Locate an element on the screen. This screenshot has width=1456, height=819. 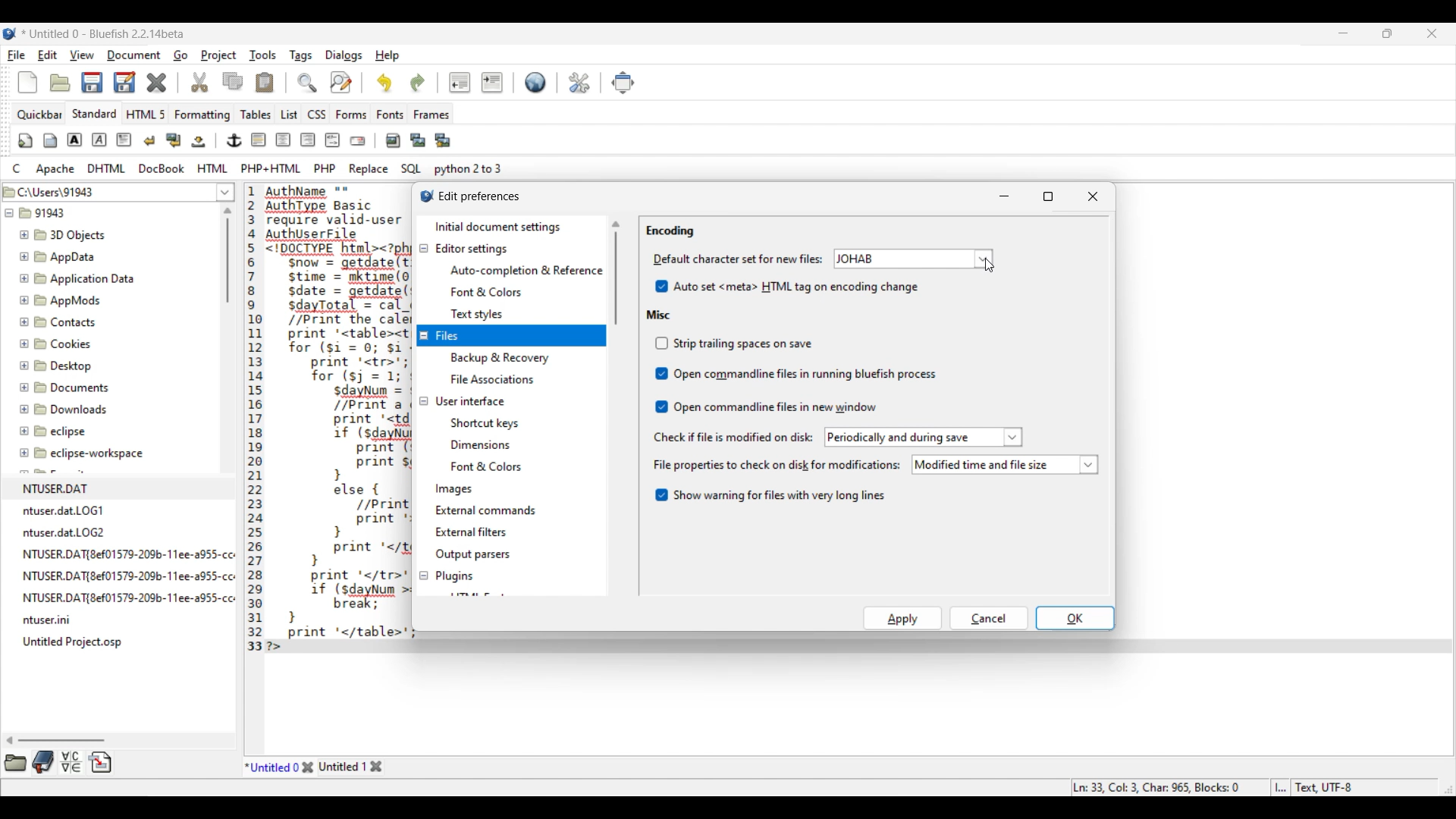
View menu is located at coordinates (82, 55).